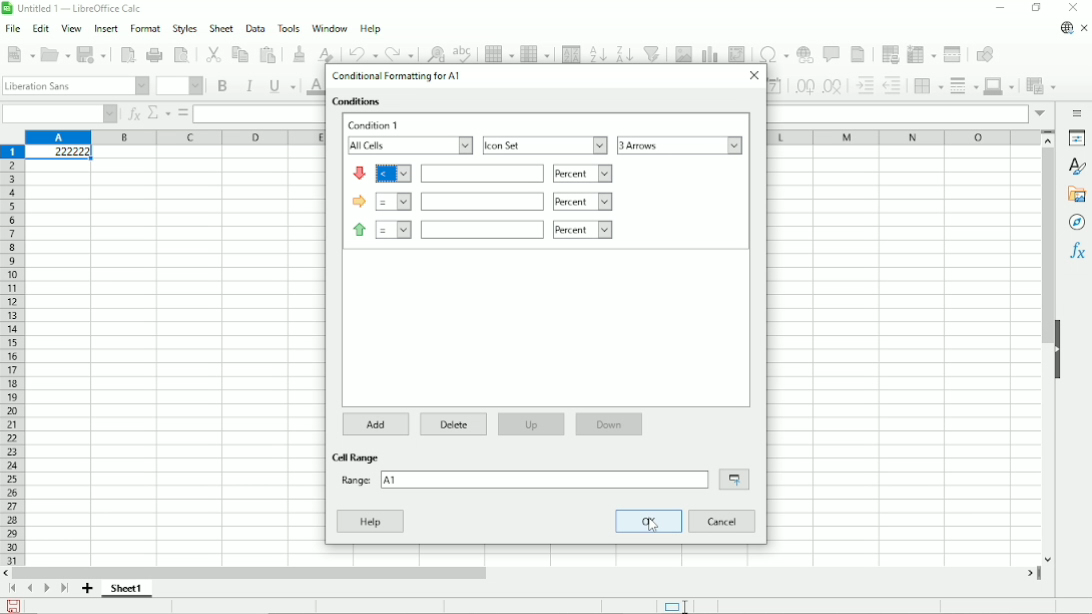 The height and width of the screenshot is (614, 1092). What do you see at coordinates (723, 522) in the screenshot?
I see `Cancel` at bounding box center [723, 522].